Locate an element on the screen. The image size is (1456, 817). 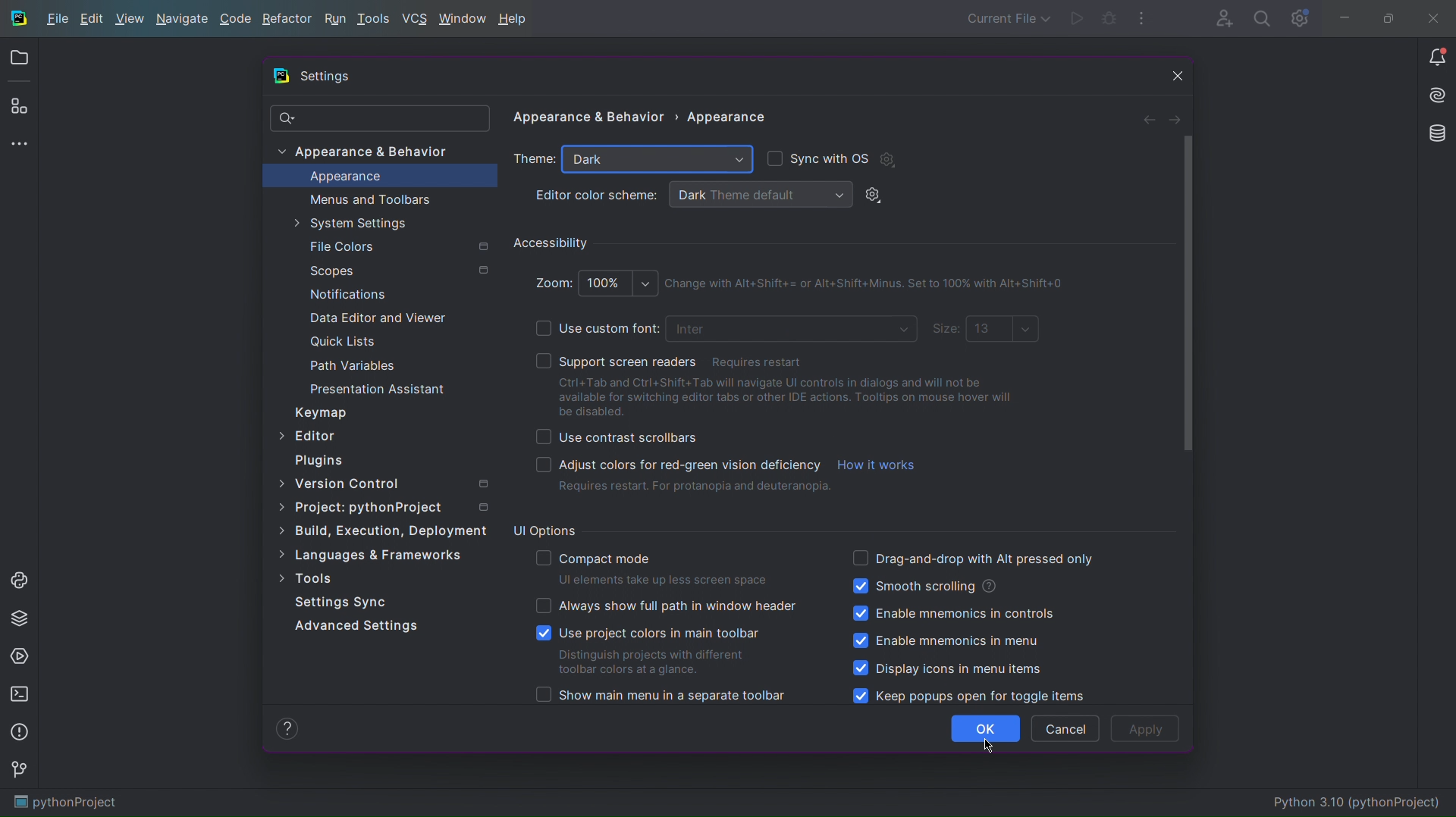
Search Bar is located at coordinates (380, 118).